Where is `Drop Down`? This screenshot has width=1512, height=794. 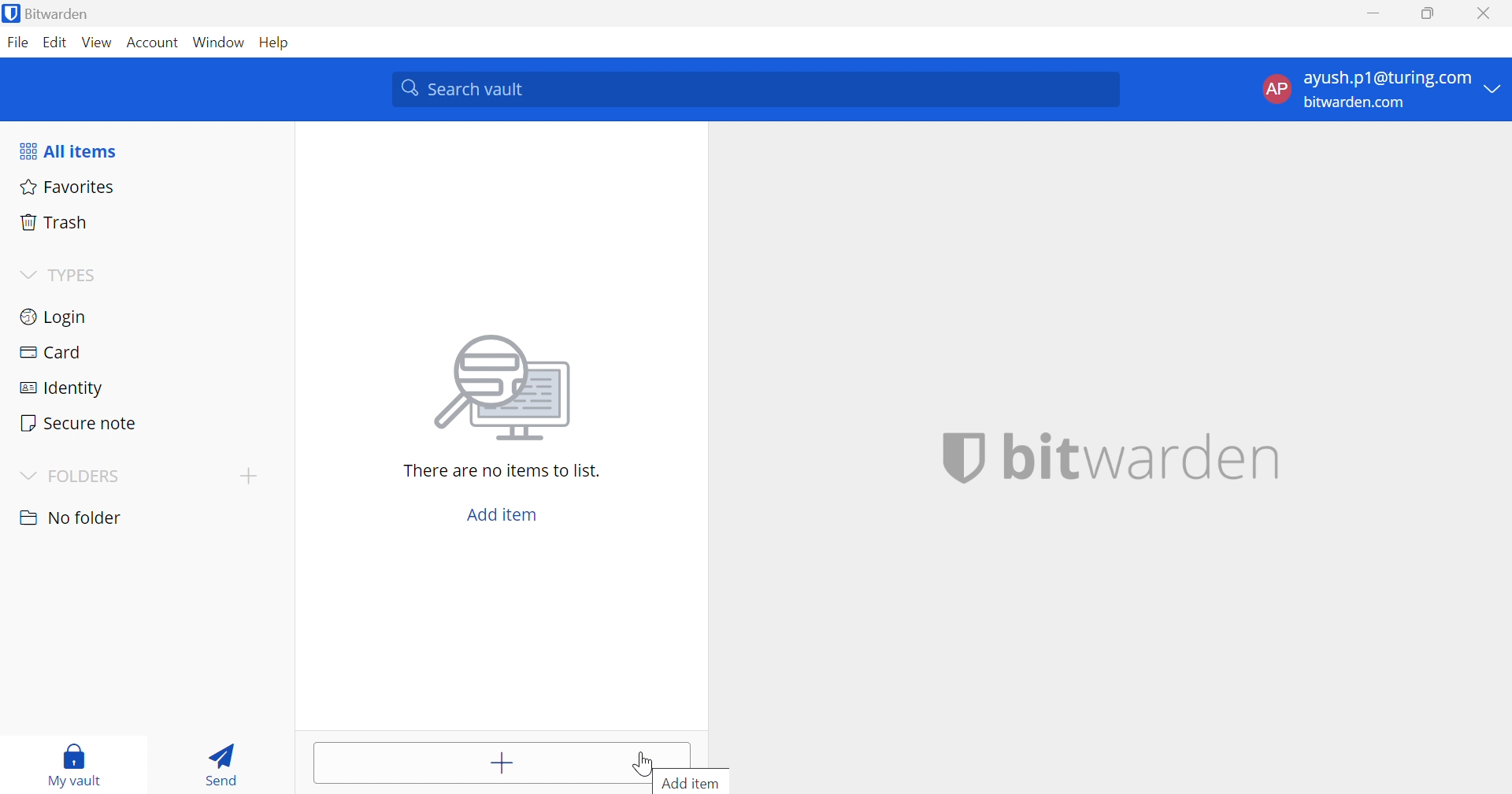 Drop Down is located at coordinates (28, 275).